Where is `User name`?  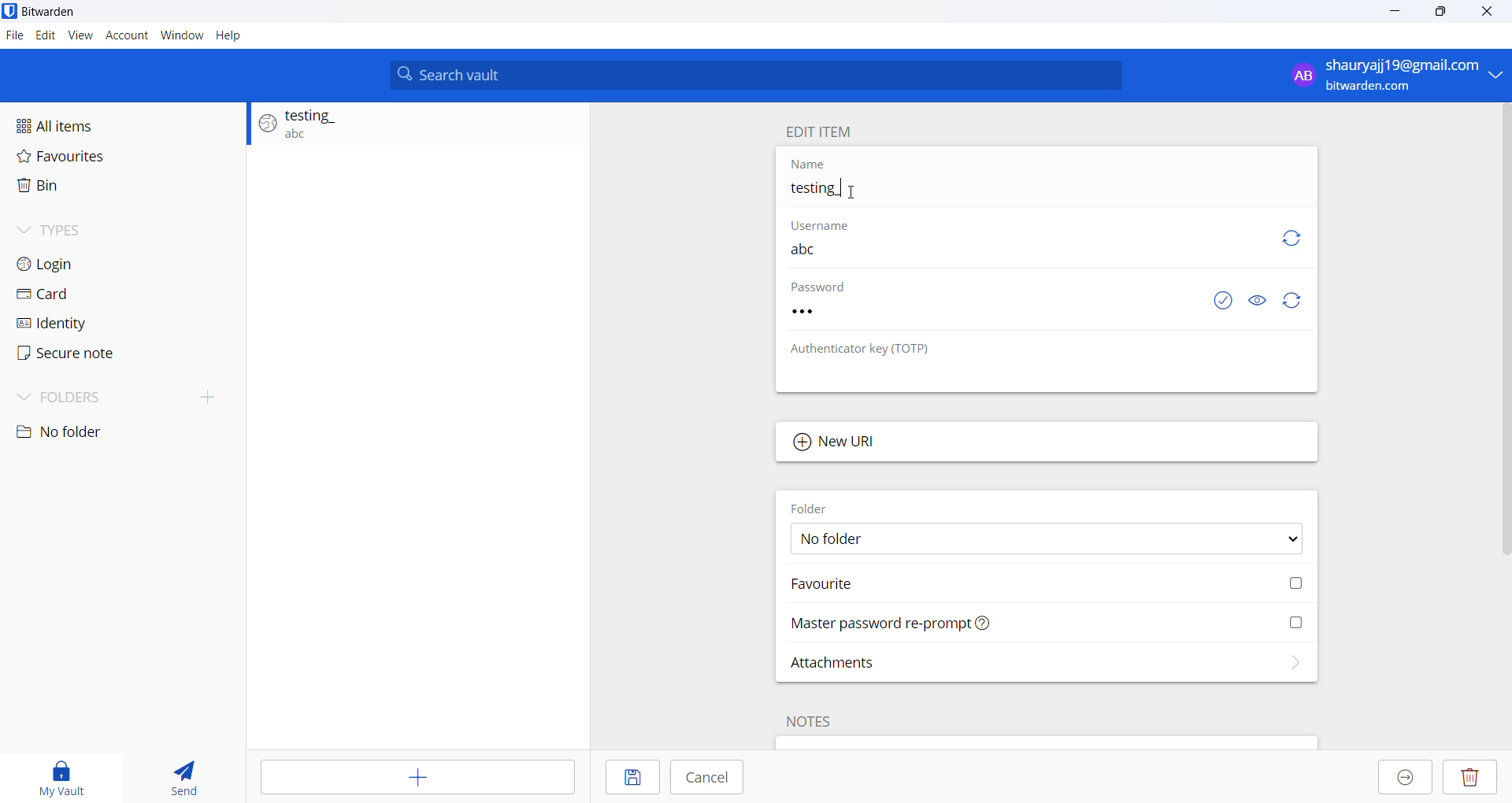
User name is located at coordinates (996, 255).